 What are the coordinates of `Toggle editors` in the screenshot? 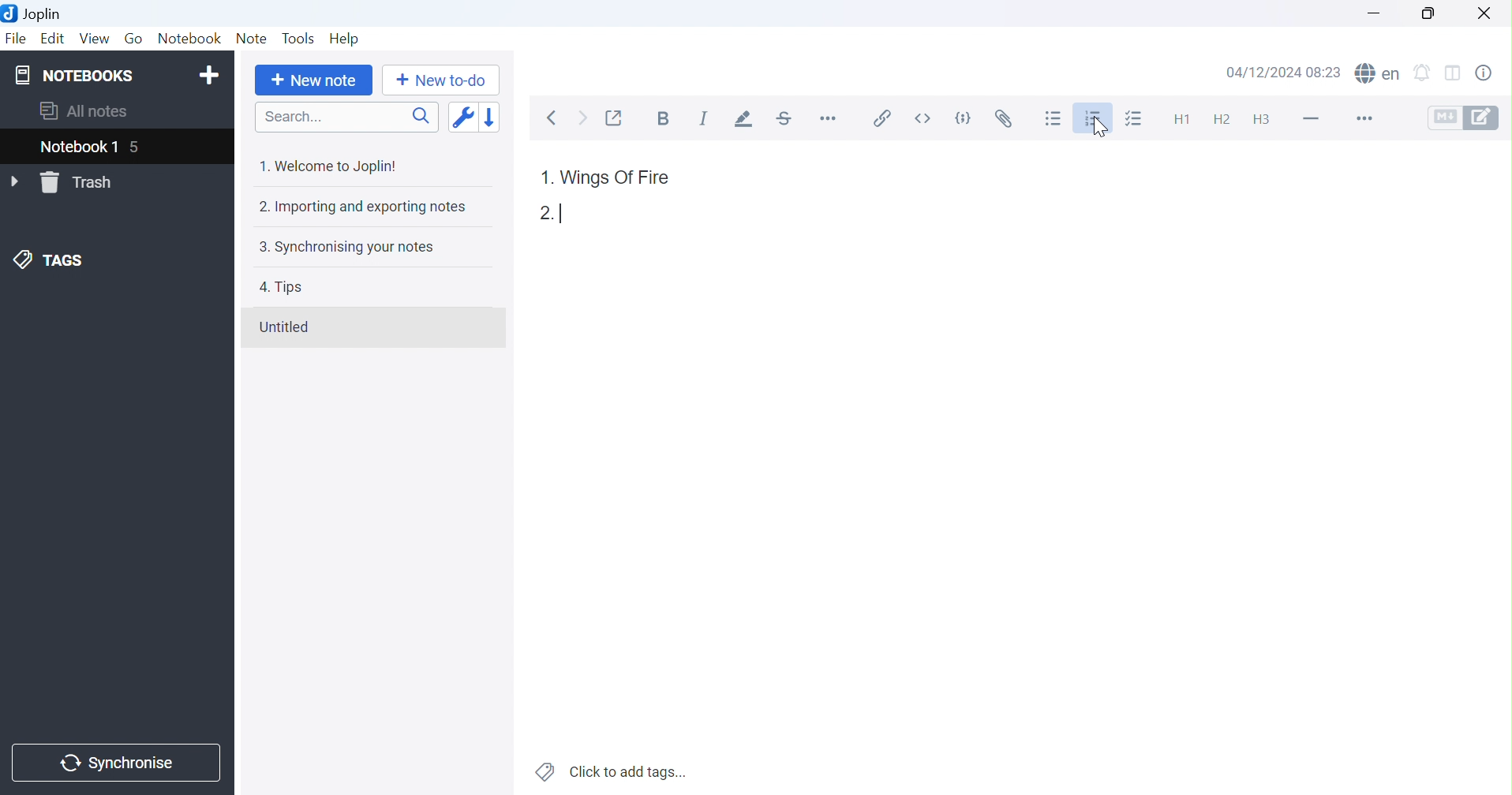 It's located at (1463, 117).